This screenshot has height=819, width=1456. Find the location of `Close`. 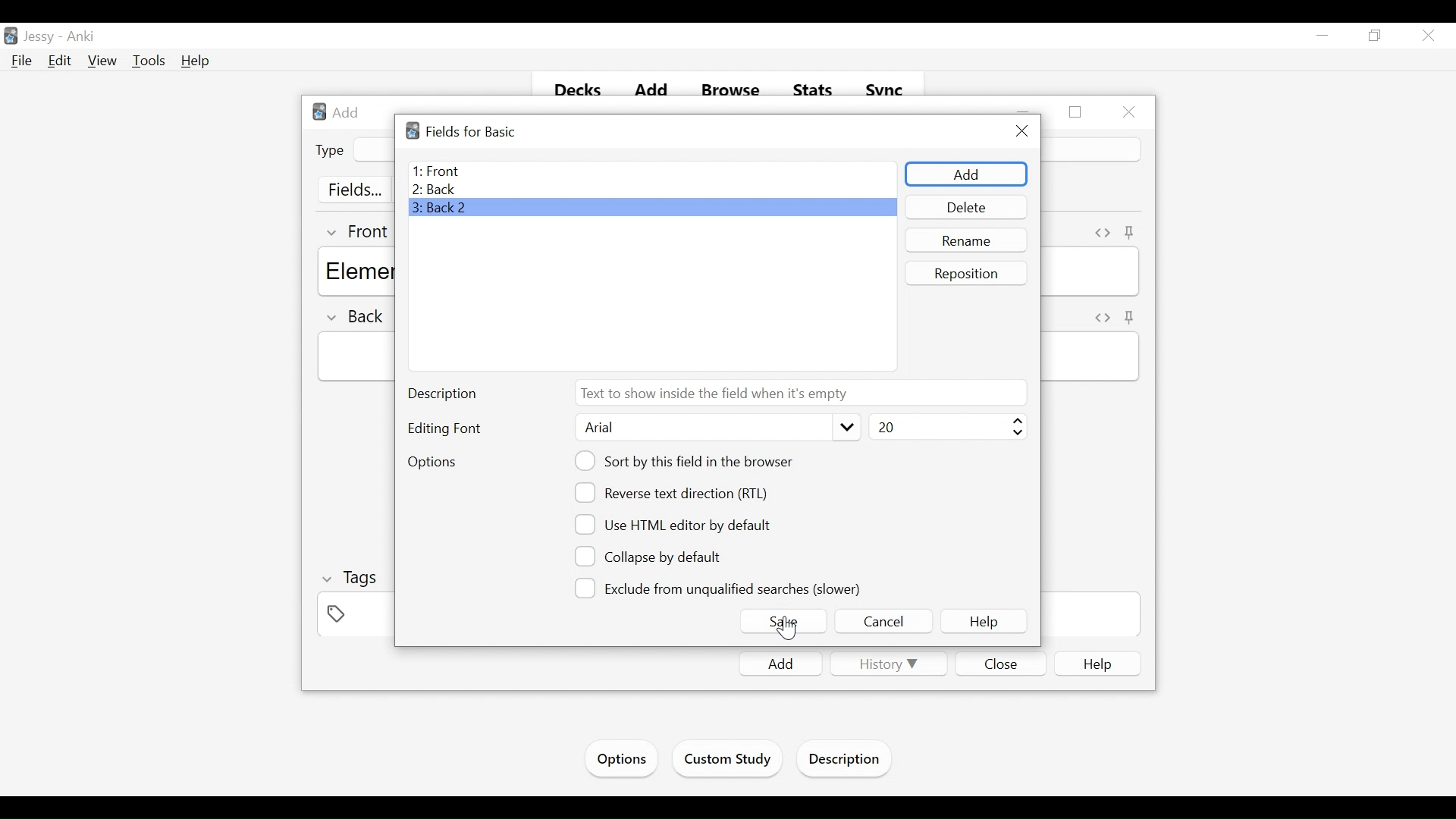

Close is located at coordinates (1426, 37).